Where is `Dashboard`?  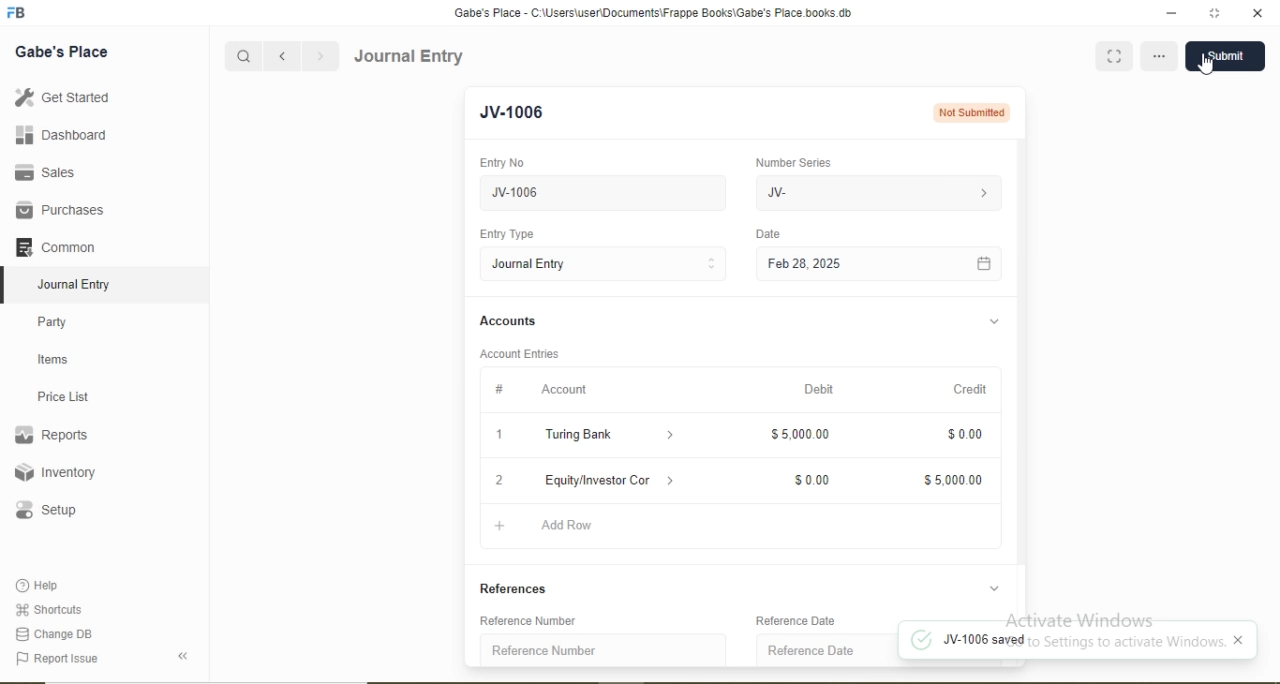
Dashboard is located at coordinates (62, 134).